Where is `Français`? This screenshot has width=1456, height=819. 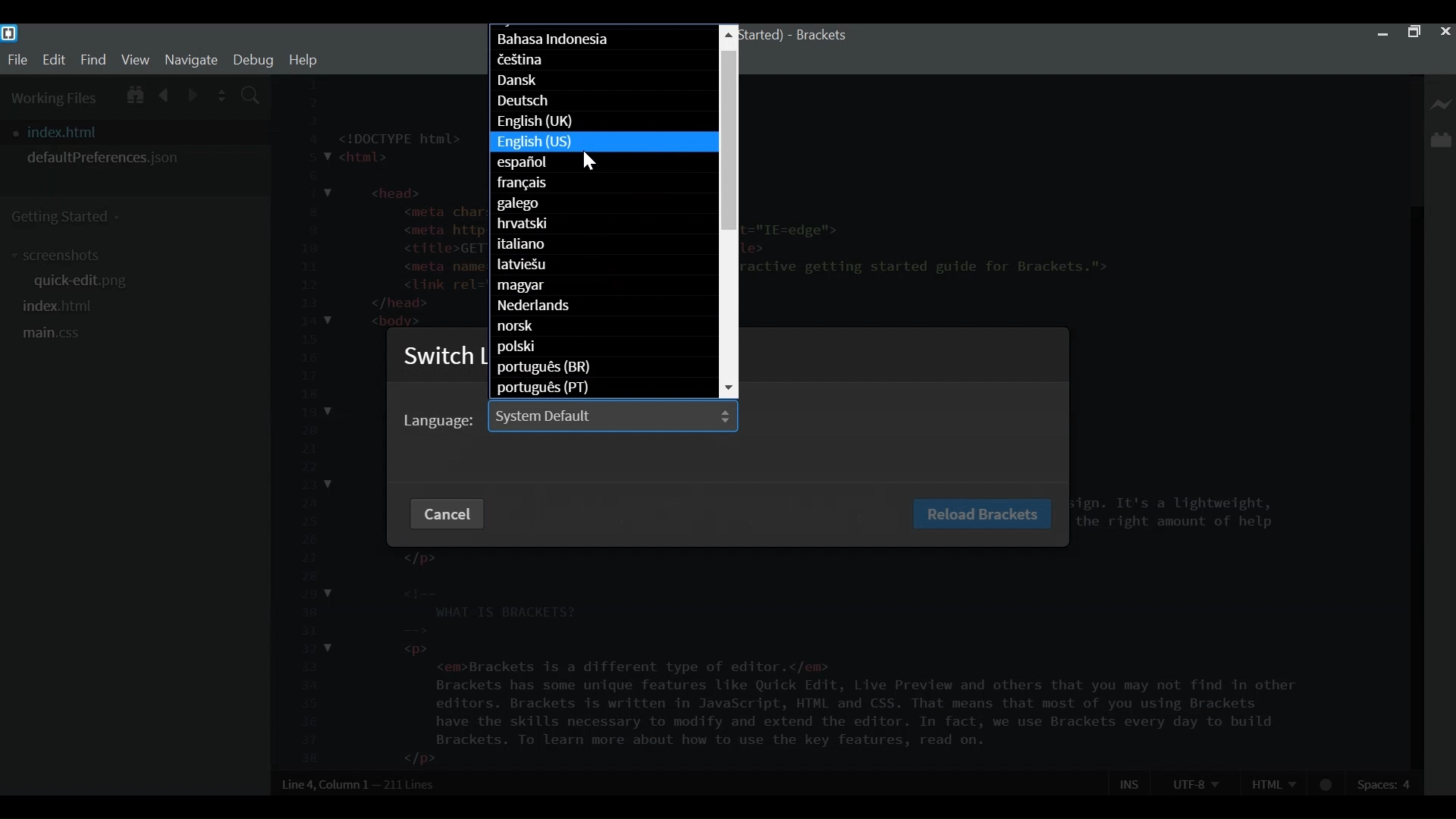
Français is located at coordinates (603, 184).